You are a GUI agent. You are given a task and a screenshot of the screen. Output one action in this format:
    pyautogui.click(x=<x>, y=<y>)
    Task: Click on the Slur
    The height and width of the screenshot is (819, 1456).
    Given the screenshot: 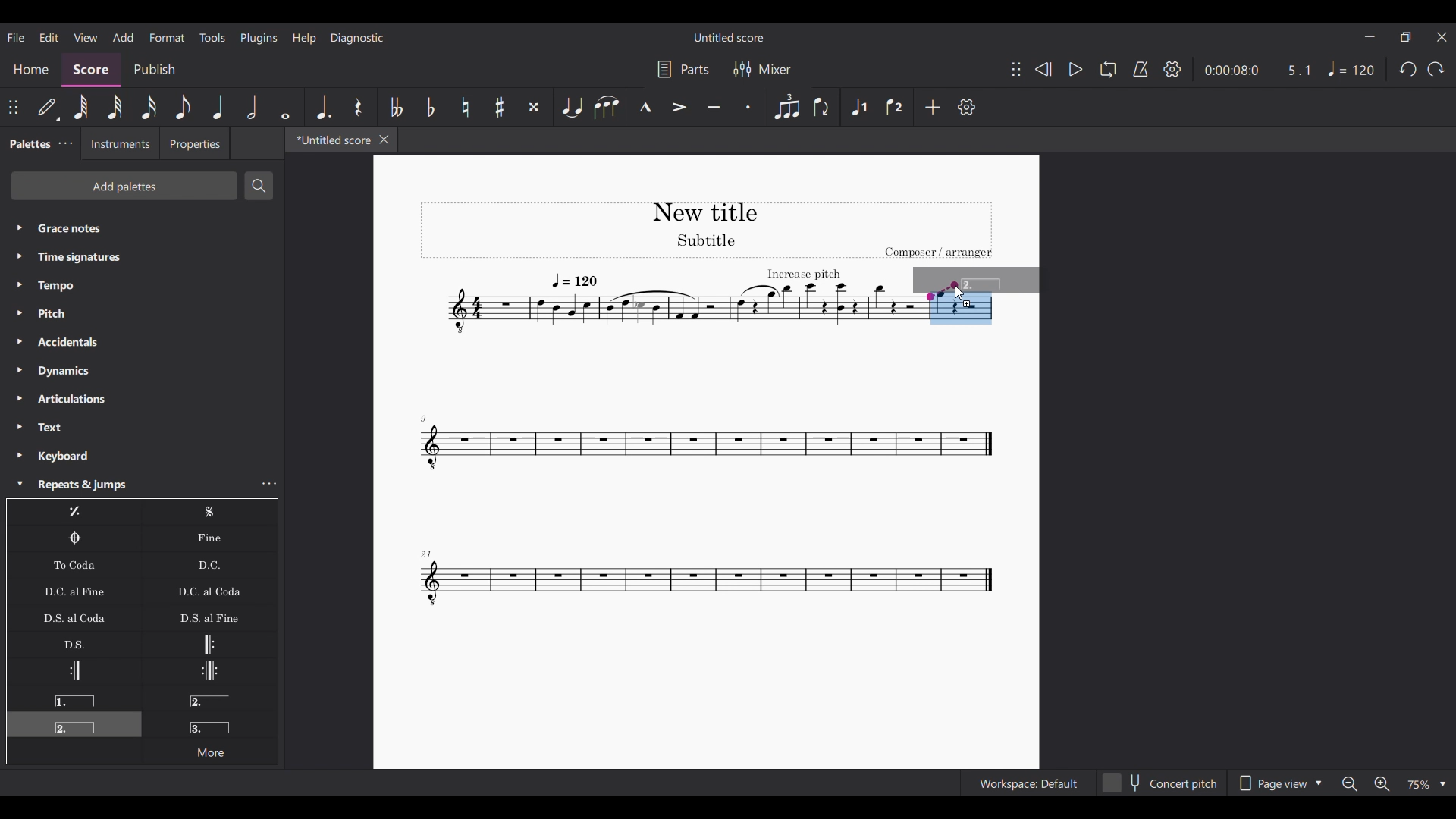 What is the action you would take?
    pyautogui.click(x=607, y=107)
    